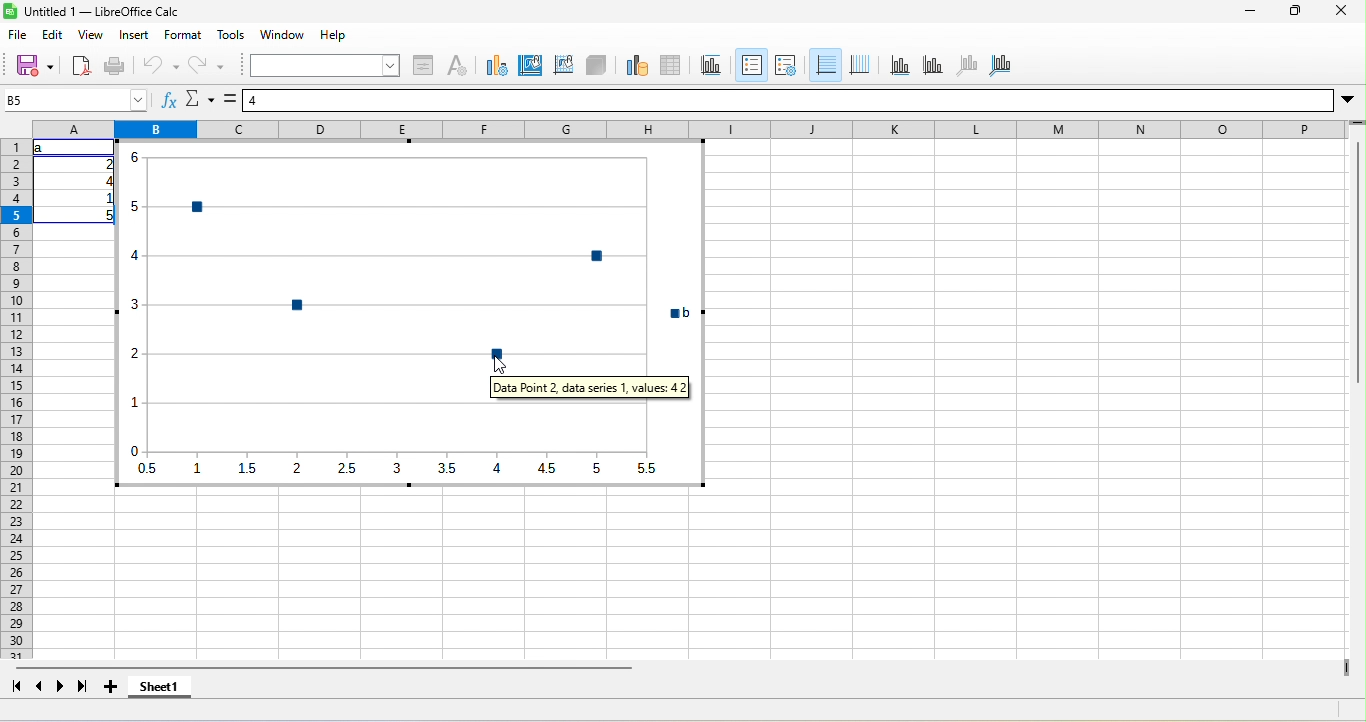 The image size is (1366, 722). I want to click on legend on/off, so click(752, 65).